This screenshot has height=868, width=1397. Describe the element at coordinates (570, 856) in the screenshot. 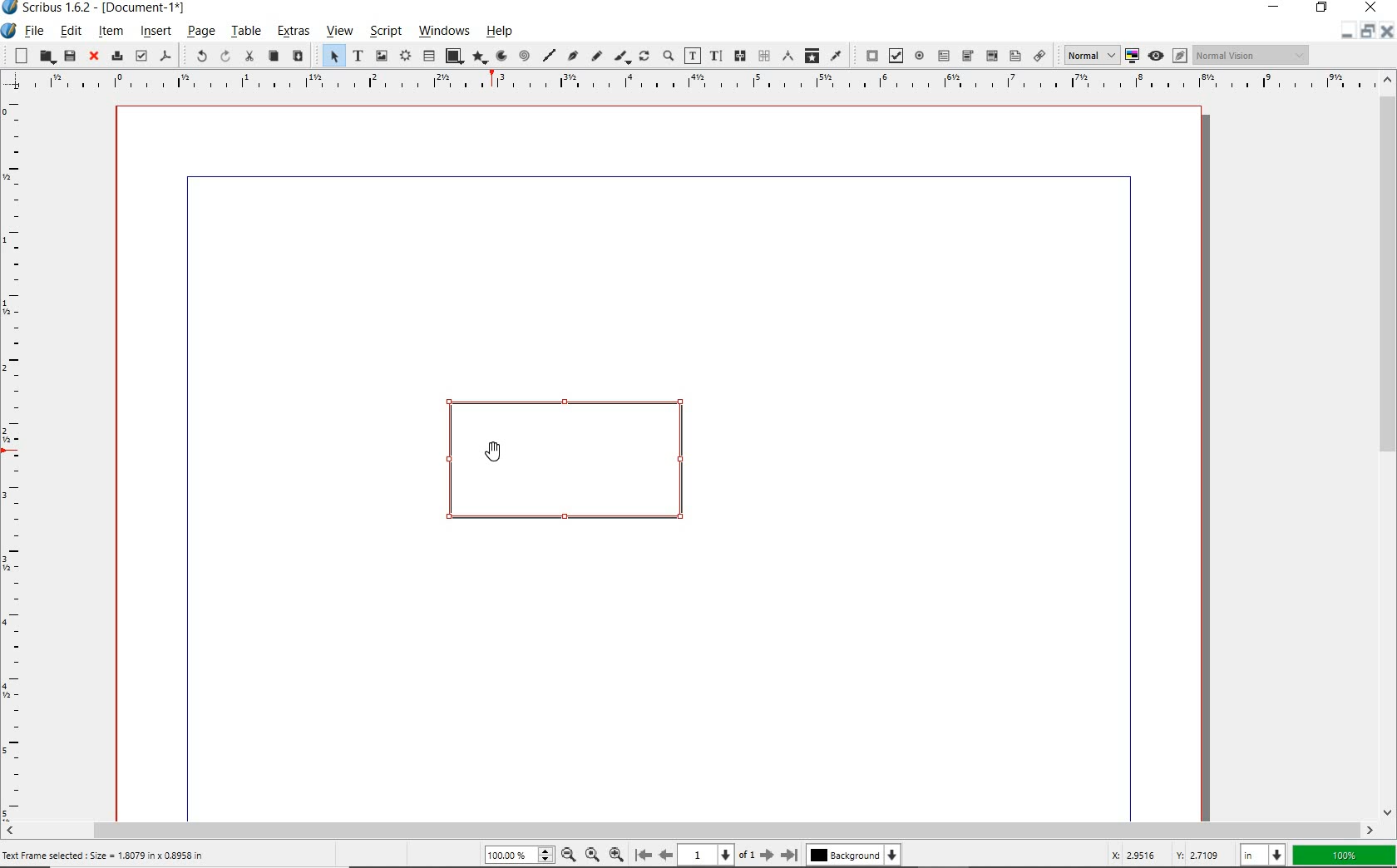

I see `Zoom Out` at that location.